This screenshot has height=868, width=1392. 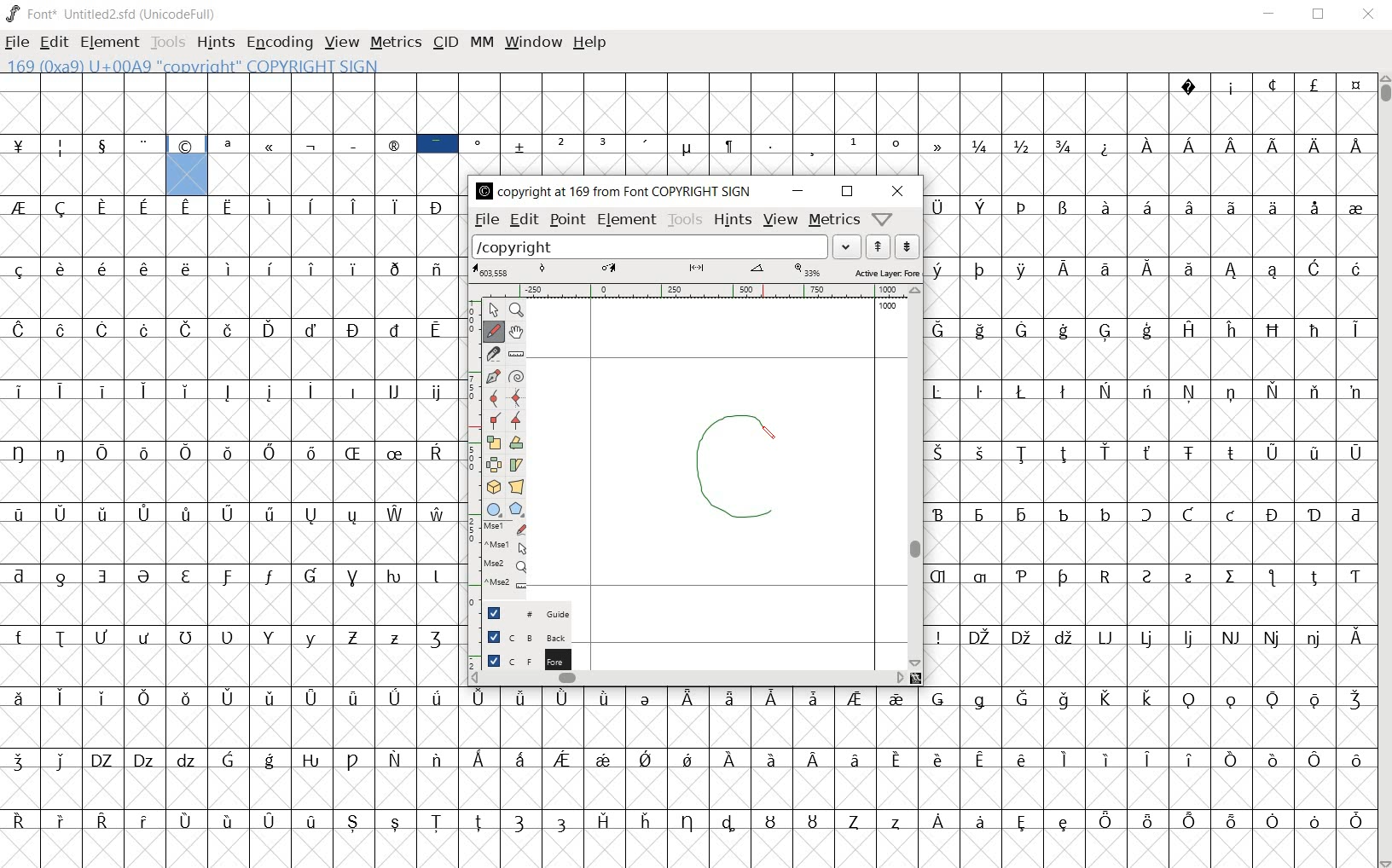 What do you see at coordinates (515, 333) in the screenshot?
I see `scroll by hand` at bounding box center [515, 333].